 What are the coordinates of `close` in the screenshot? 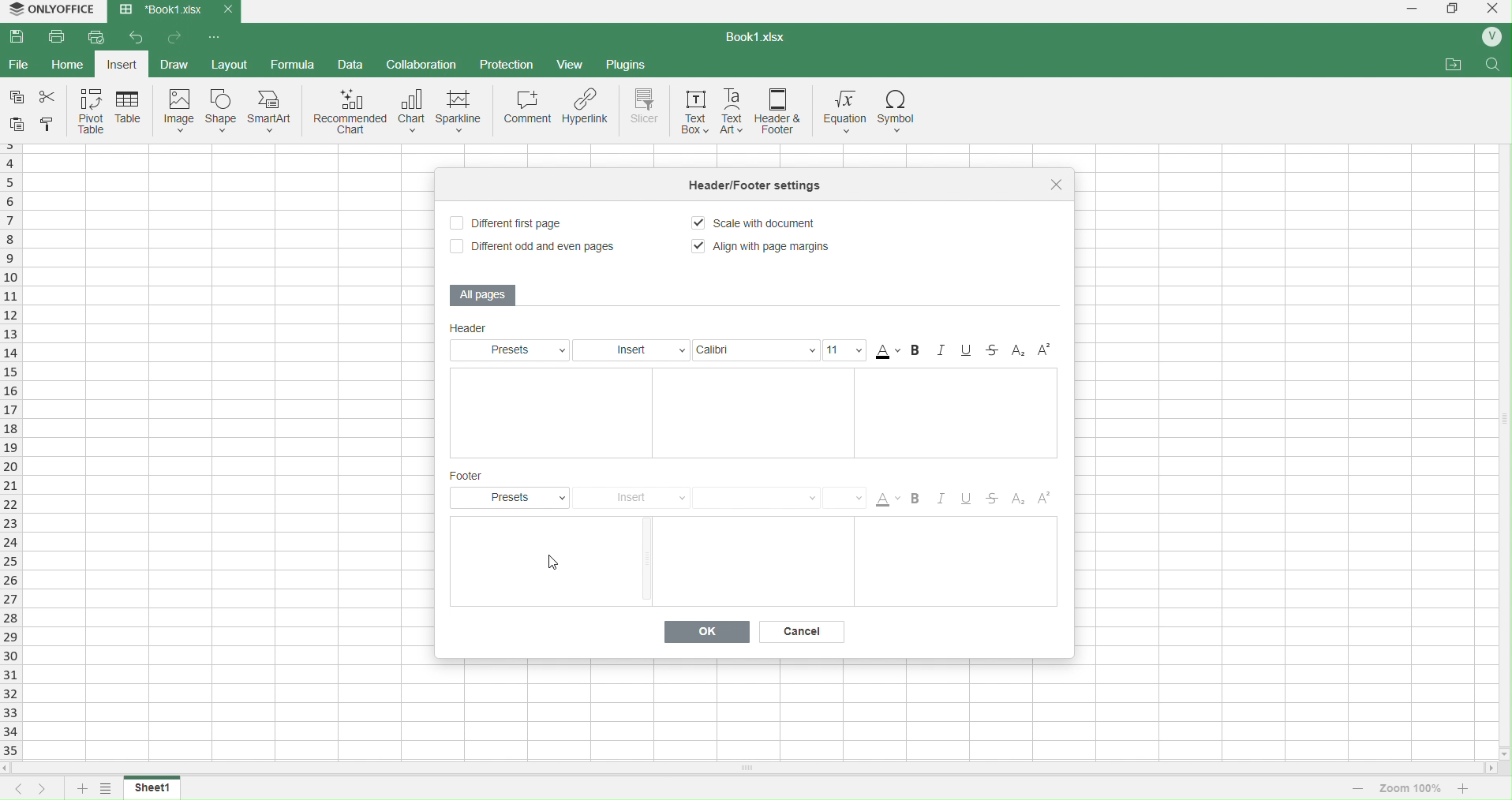 It's located at (1491, 11).